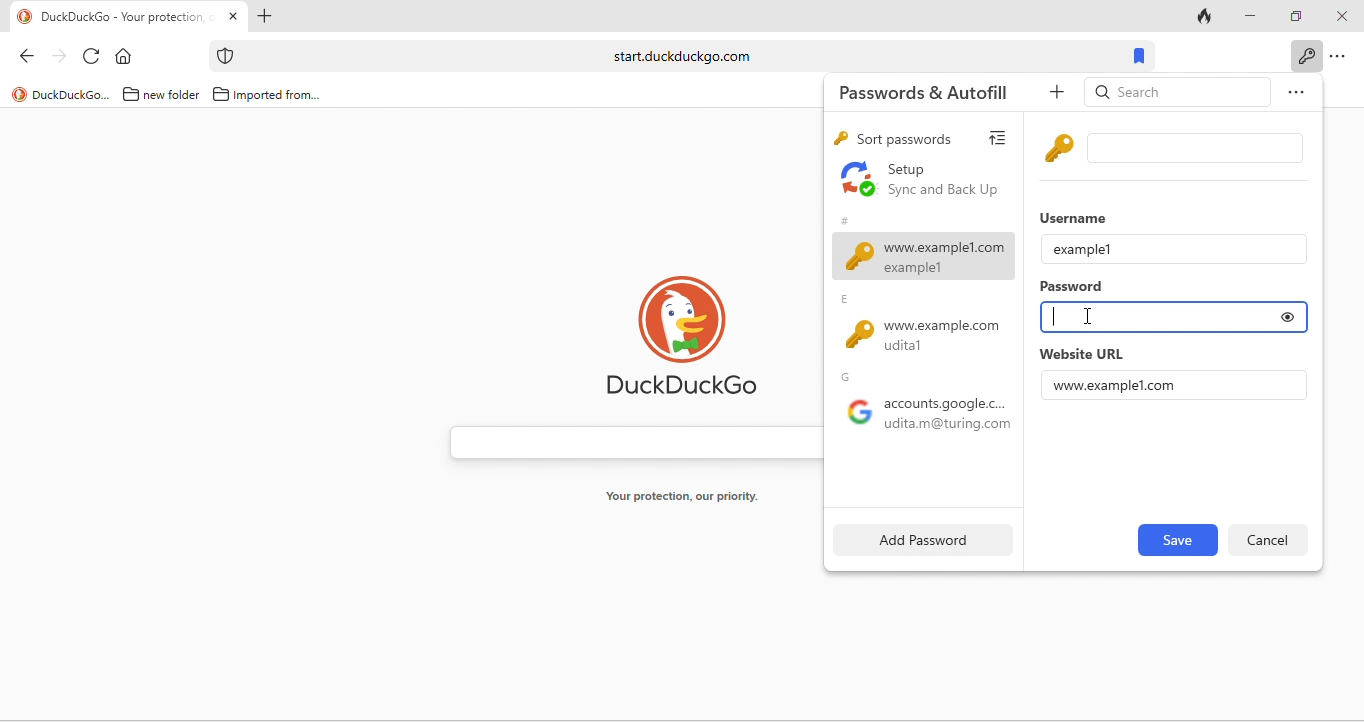 The width and height of the screenshot is (1364, 722). Describe the element at coordinates (1060, 93) in the screenshot. I see `add` at that location.